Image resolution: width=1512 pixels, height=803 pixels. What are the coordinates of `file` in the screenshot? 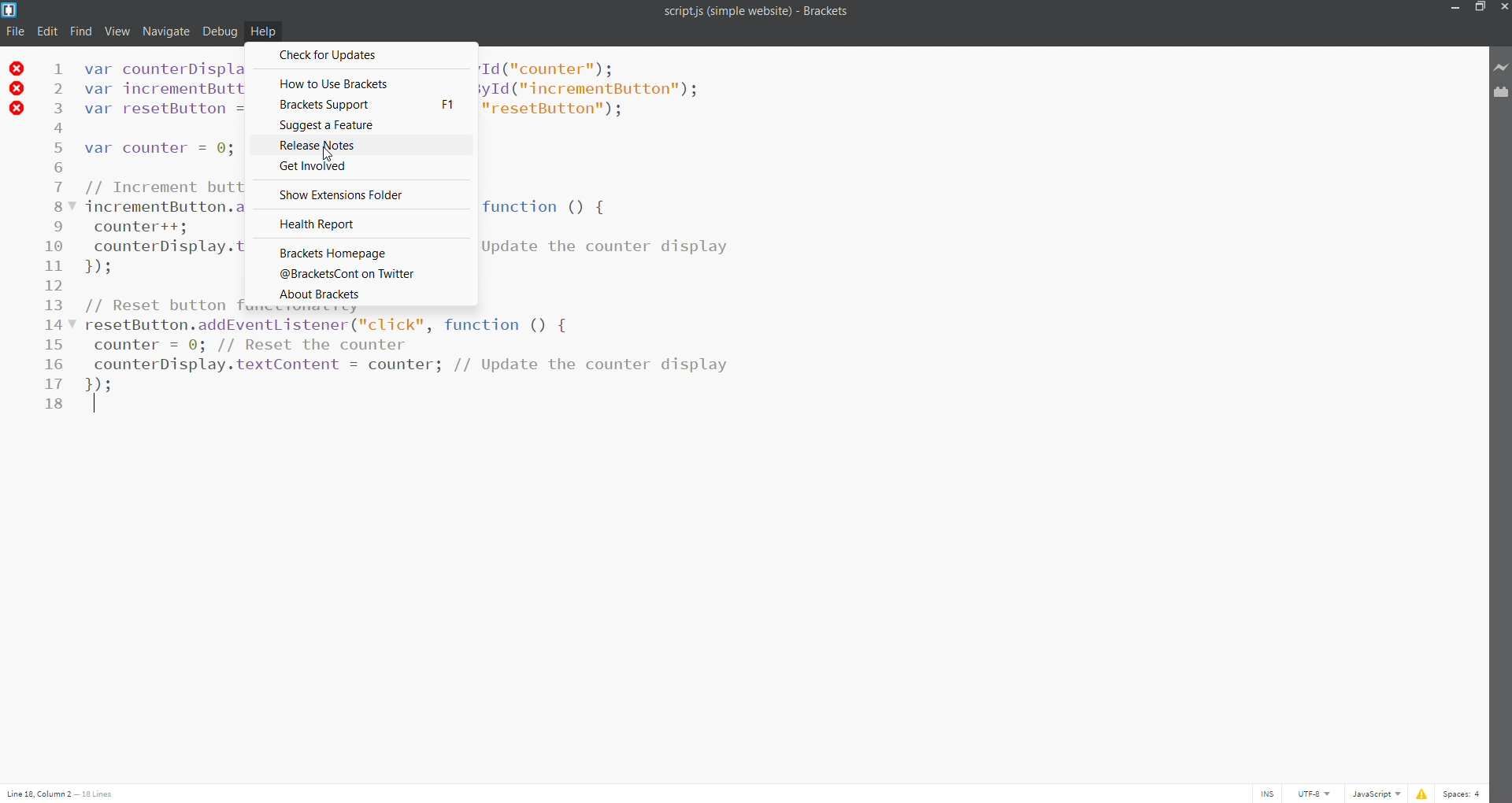 It's located at (13, 31).